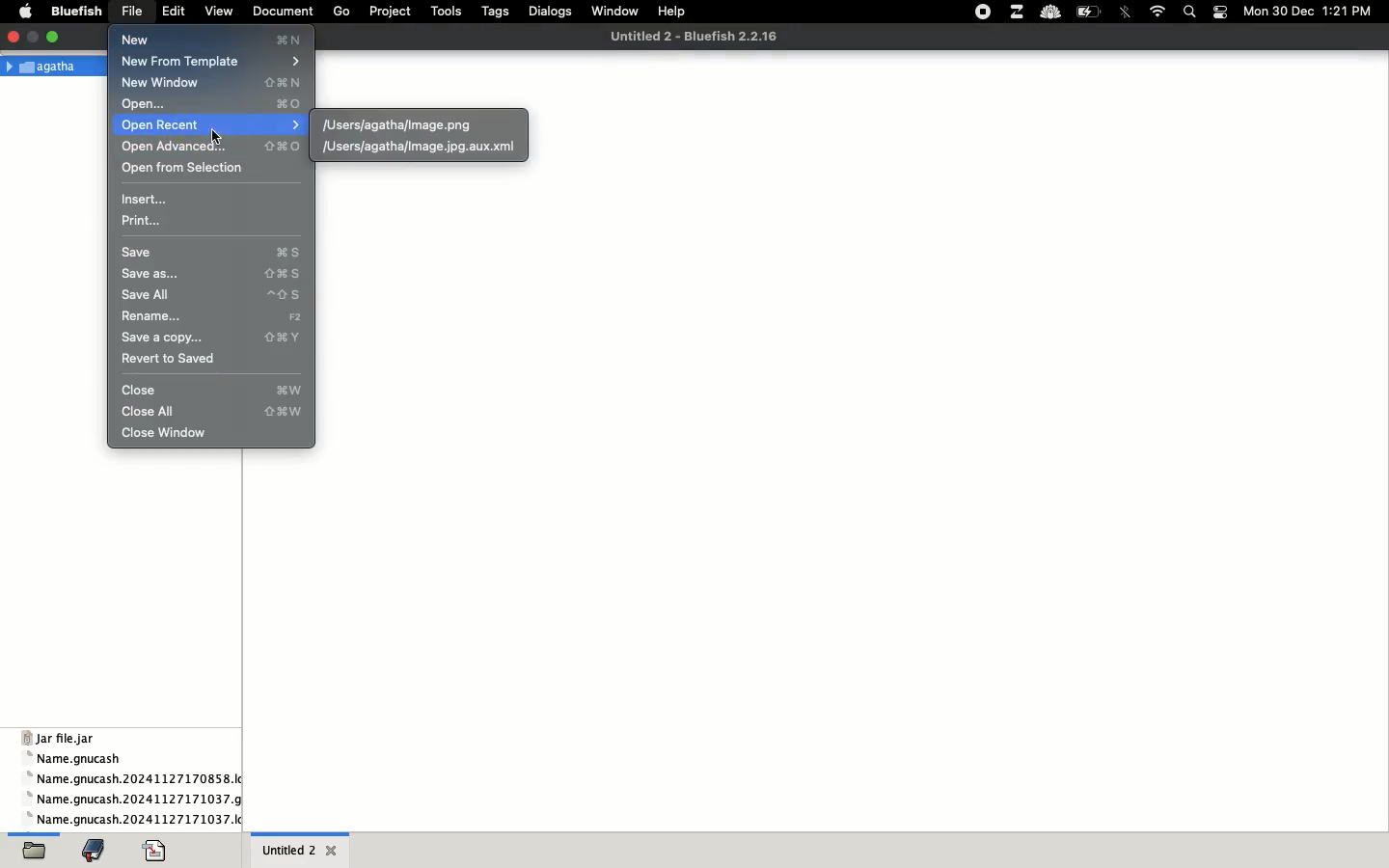 This screenshot has height=868, width=1389. I want to click on untitled, so click(288, 851).